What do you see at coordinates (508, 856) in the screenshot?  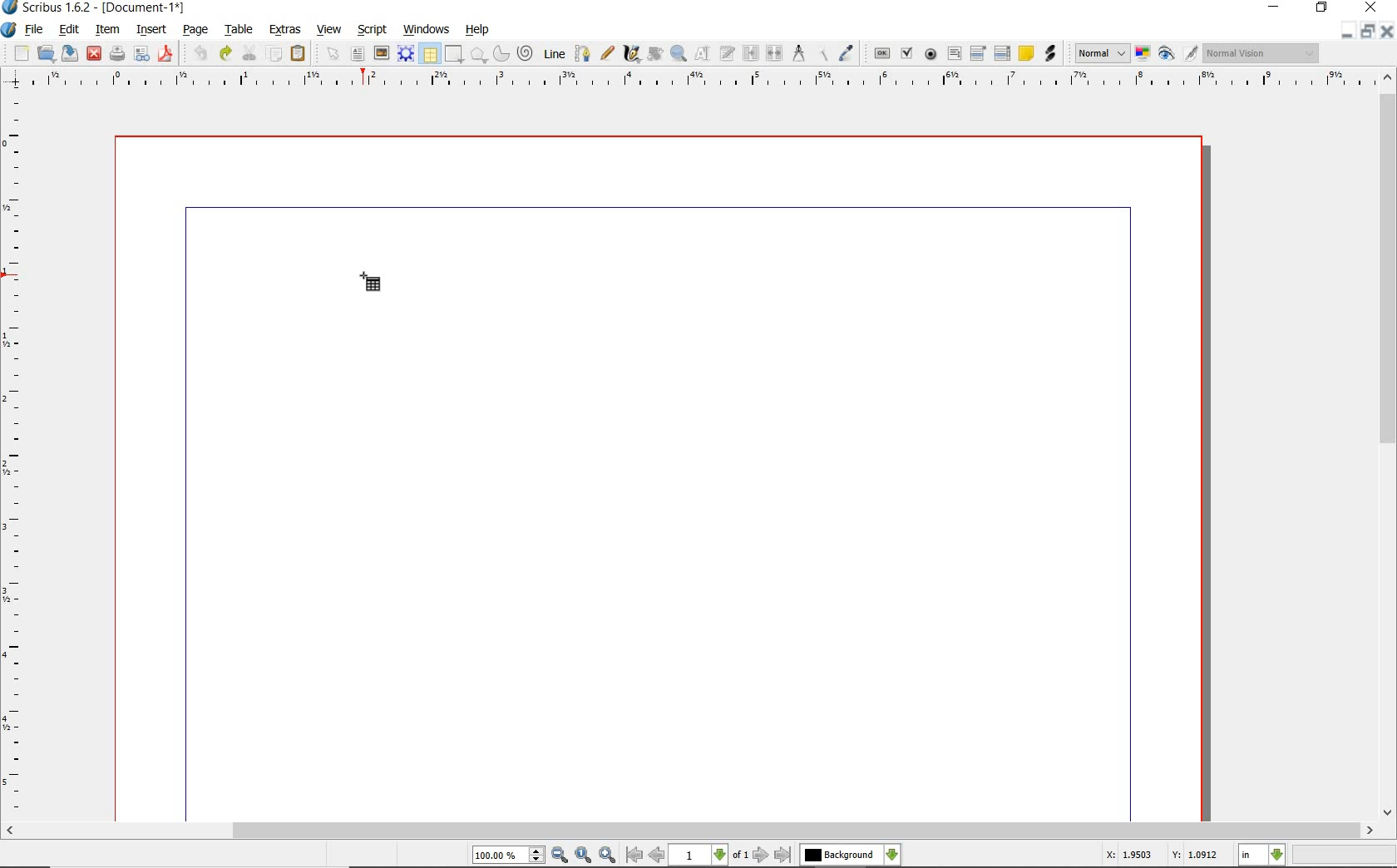 I see `select current zoom level` at bounding box center [508, 856].